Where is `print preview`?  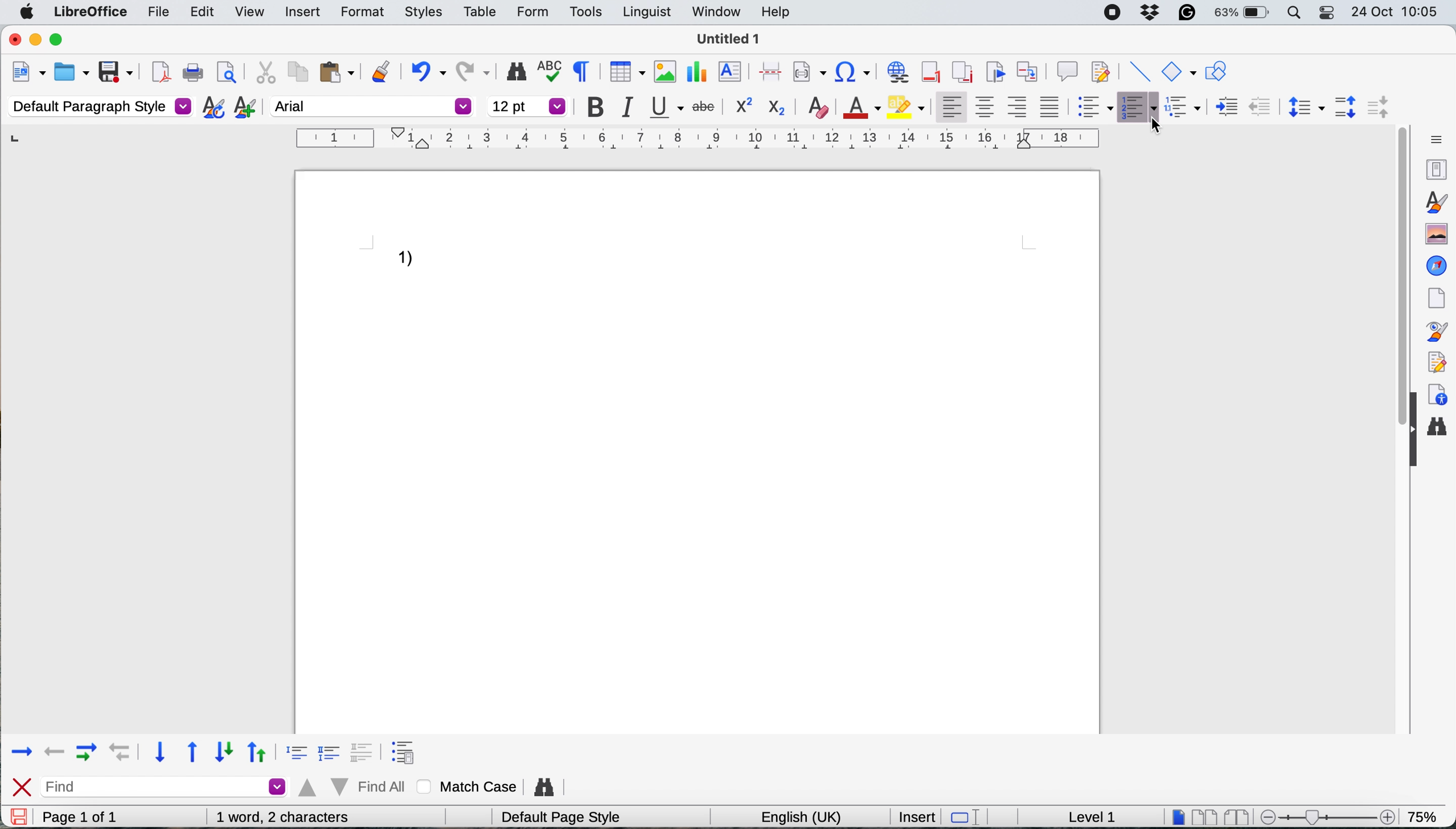 print preview is located at coordinates (226, 72).